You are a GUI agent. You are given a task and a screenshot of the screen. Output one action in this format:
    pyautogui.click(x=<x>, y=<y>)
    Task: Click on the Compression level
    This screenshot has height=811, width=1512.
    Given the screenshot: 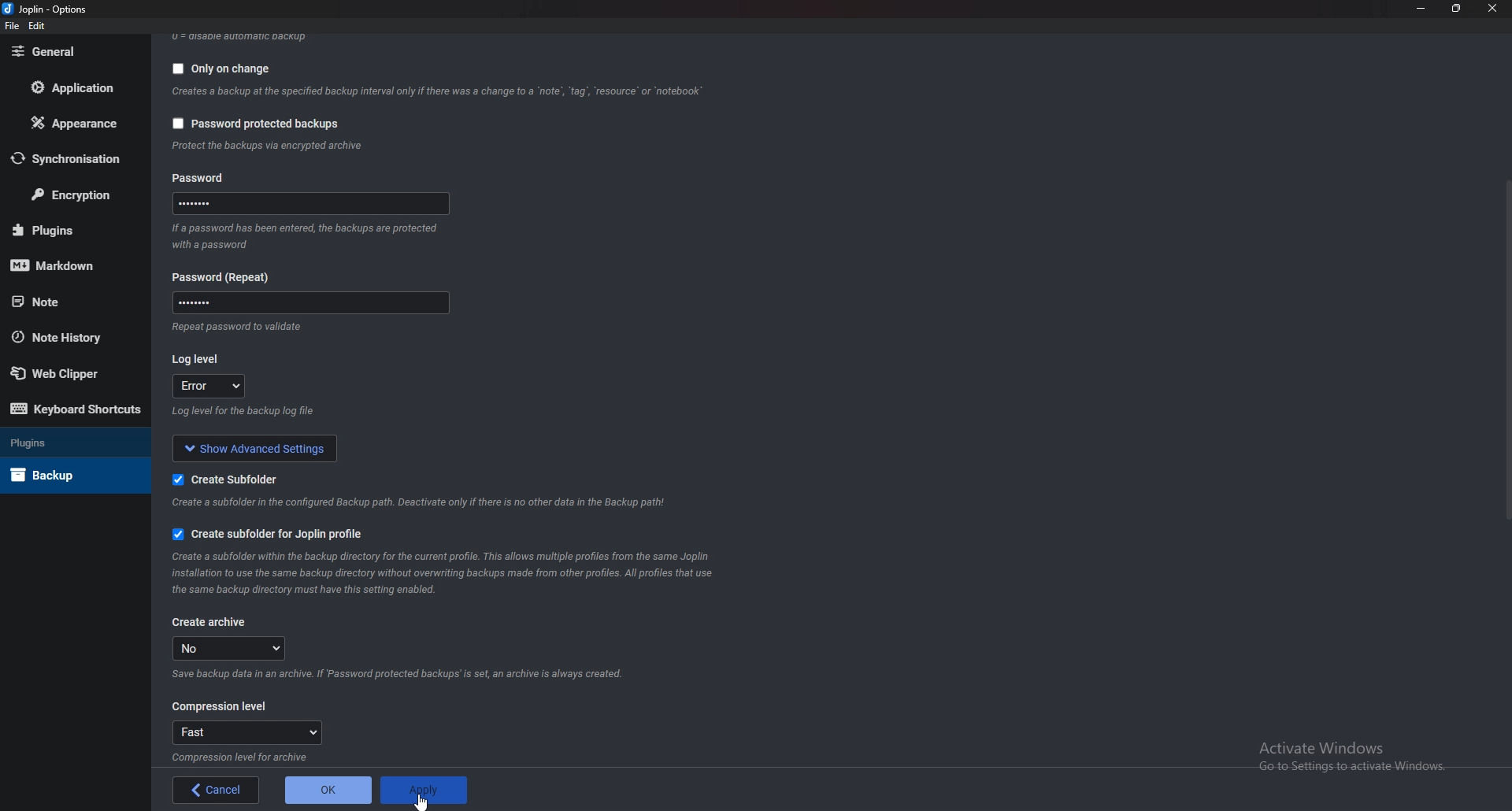 What is the action you would take?
    pyautogui.click(x=217, y=706)
    